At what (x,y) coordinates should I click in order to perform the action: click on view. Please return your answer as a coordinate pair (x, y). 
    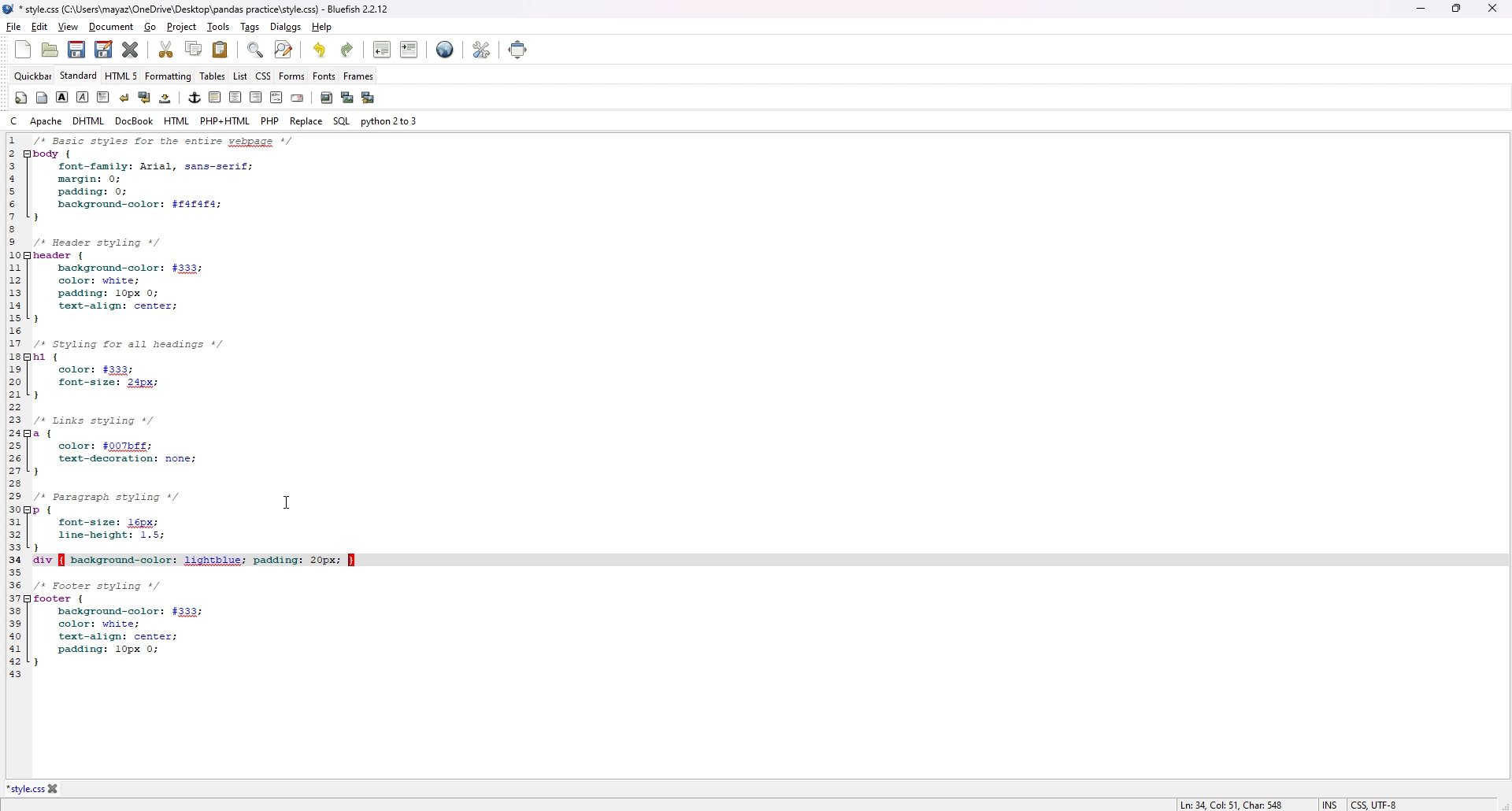
    Looking at the image, I should click on (67, 27).